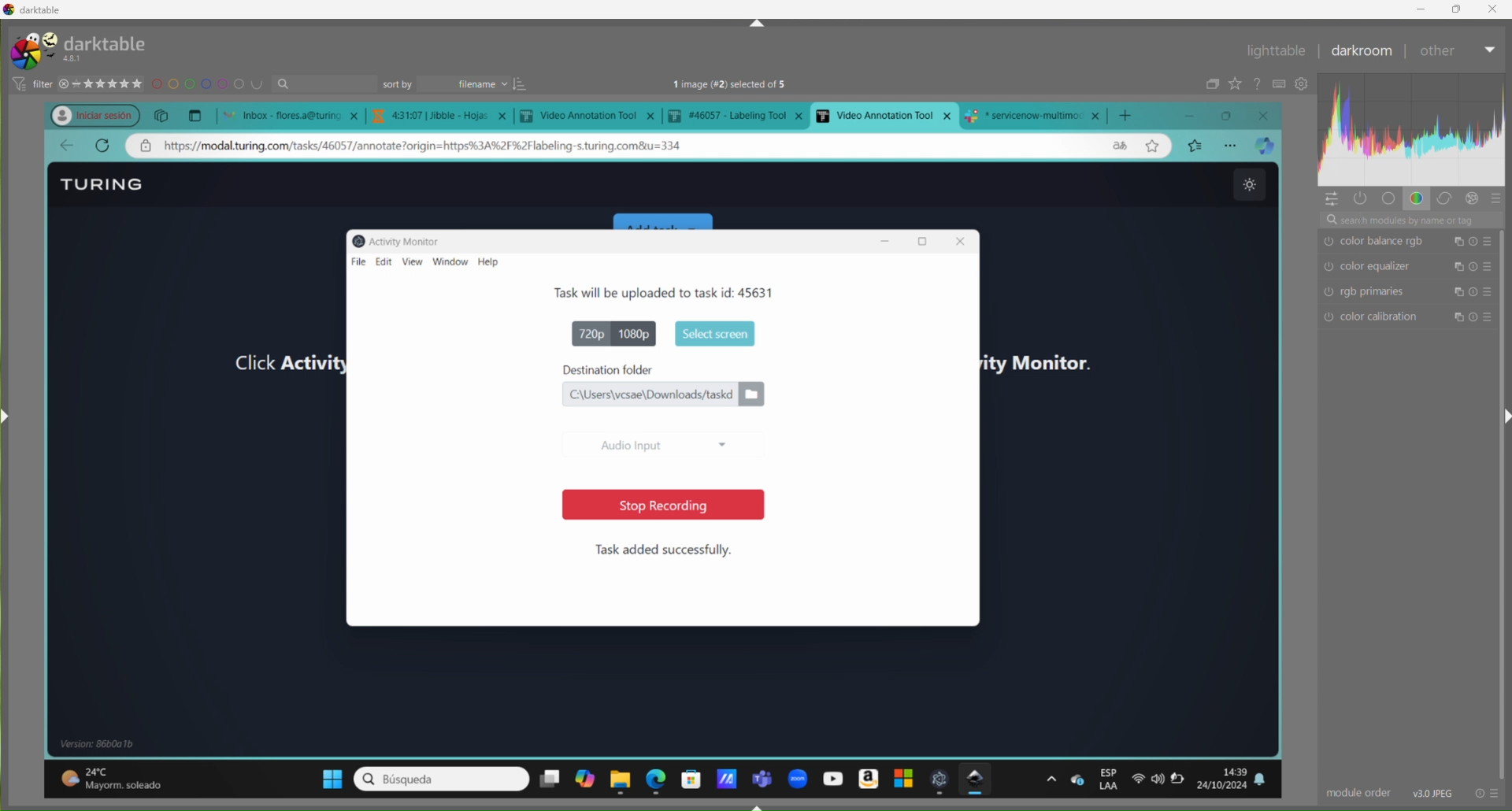 The width and height of the screenshot is (1512, 811). What do you see at coordinates (1359, 51) in the screenshot?
I see `Darkroom` at bounding box center [1359, 51].